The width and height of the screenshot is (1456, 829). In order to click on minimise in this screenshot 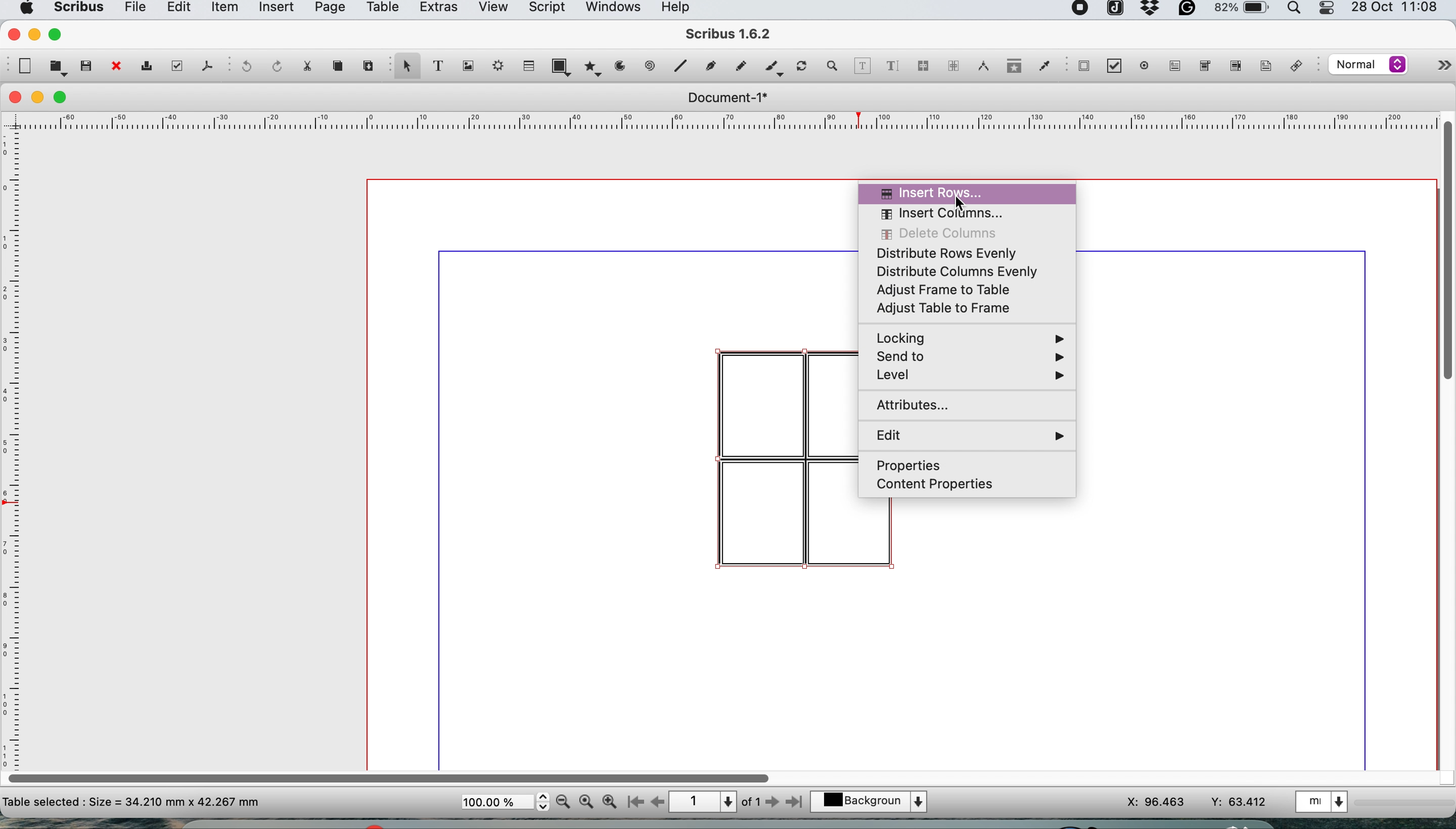, I will do `click(34, 34)`.